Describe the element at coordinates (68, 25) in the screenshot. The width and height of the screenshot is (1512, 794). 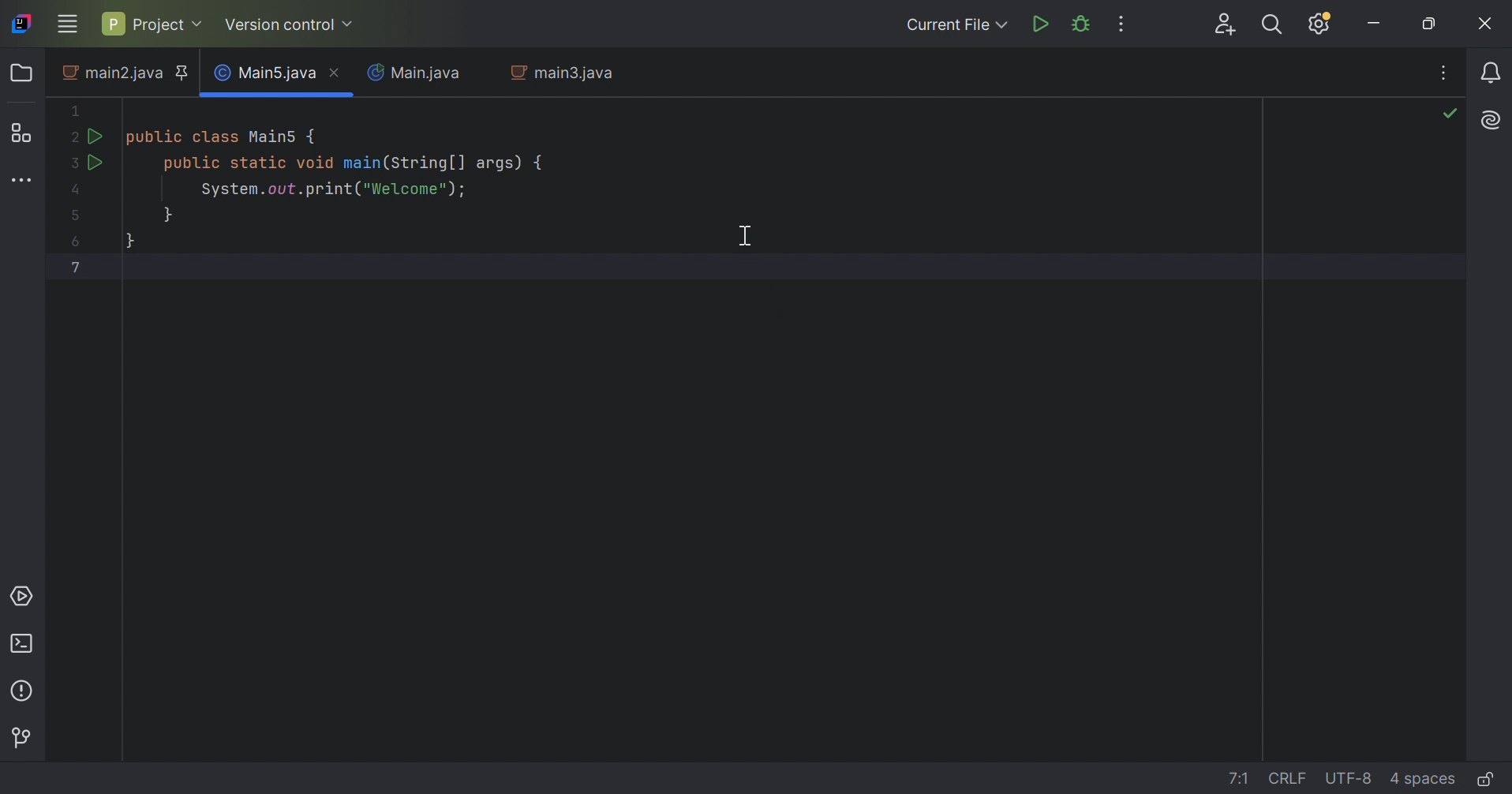
I see `Main menu` at that location.